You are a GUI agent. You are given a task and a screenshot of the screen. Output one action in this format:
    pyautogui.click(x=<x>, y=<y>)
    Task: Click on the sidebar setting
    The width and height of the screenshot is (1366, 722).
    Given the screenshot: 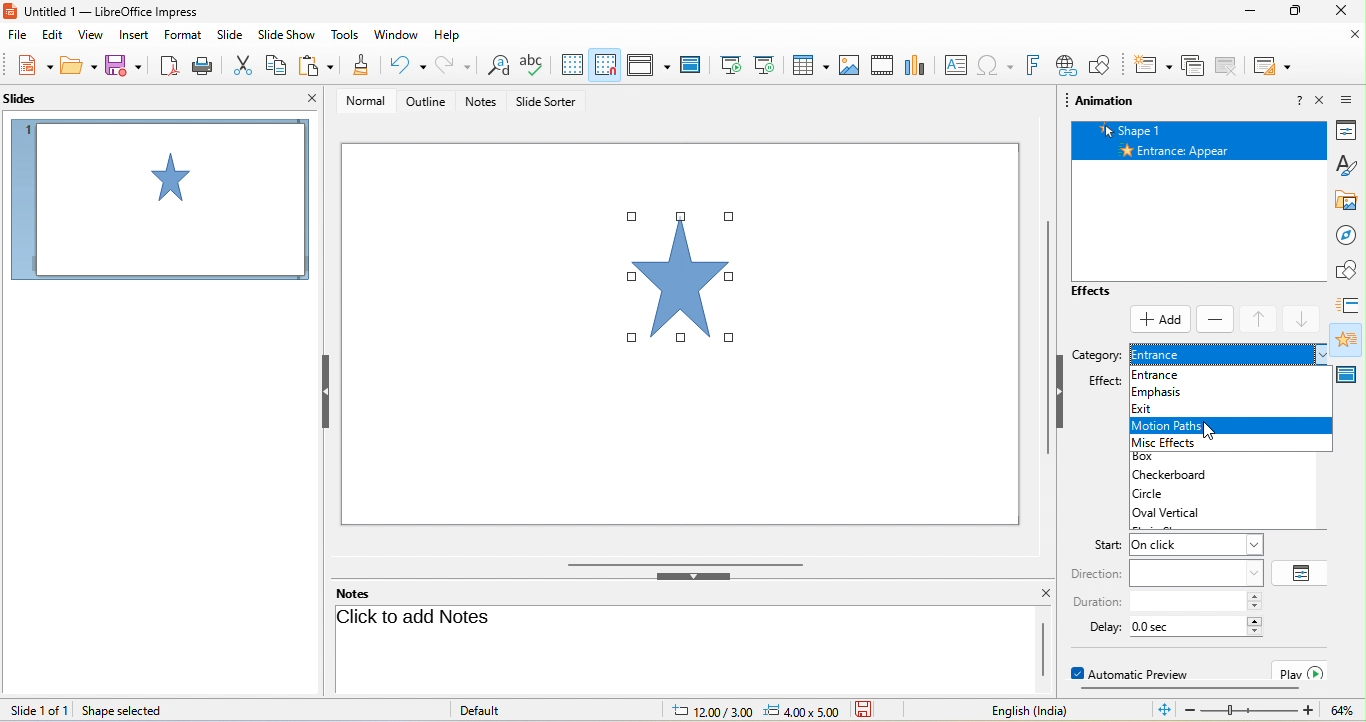 What is the action you would take?
    pyautogui.click(x=1348, y=98)
    